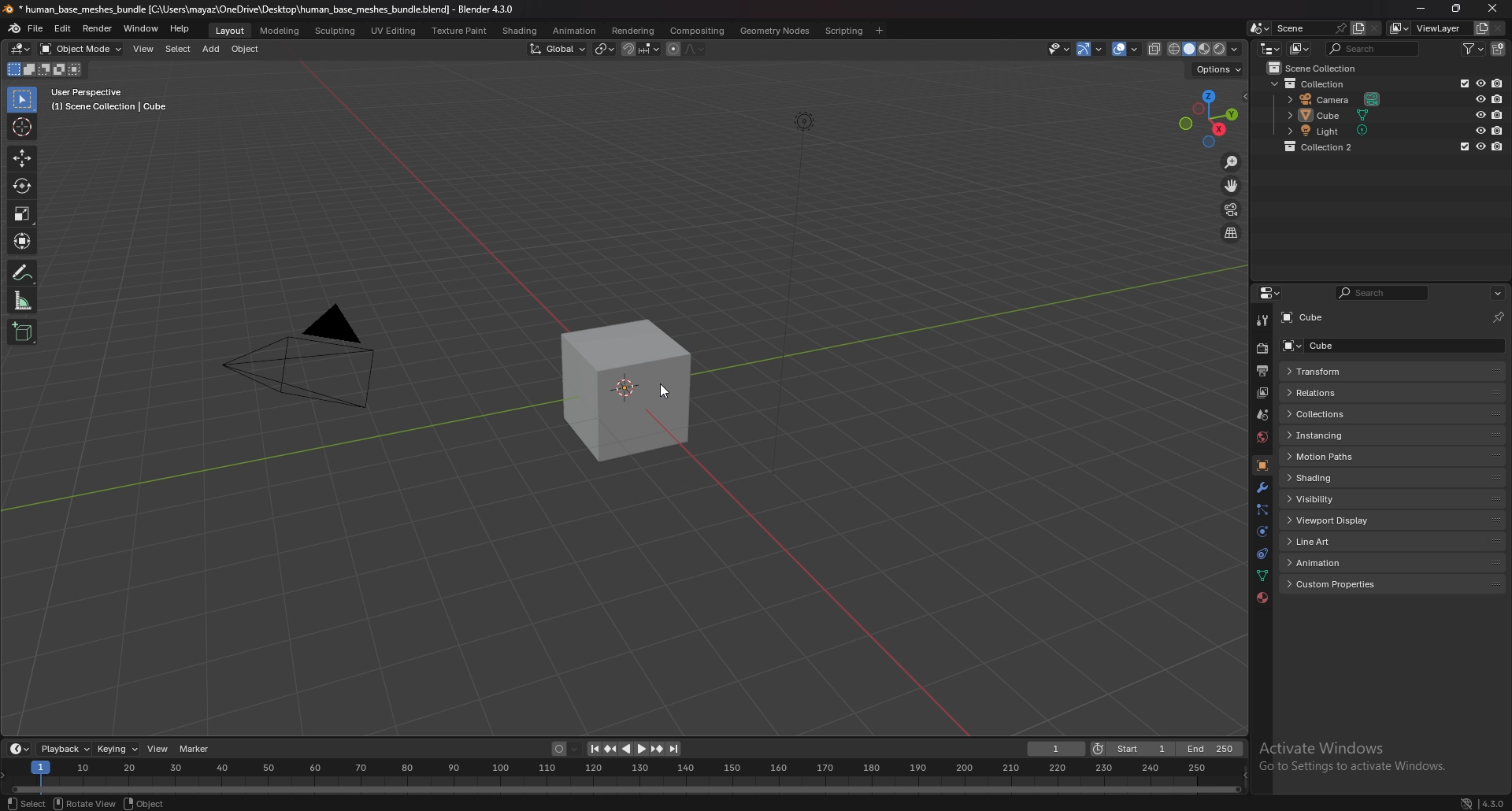  Describe the element at coordinates (1462, 146) in the screenshot. I see `exclude from view layer` at that location.